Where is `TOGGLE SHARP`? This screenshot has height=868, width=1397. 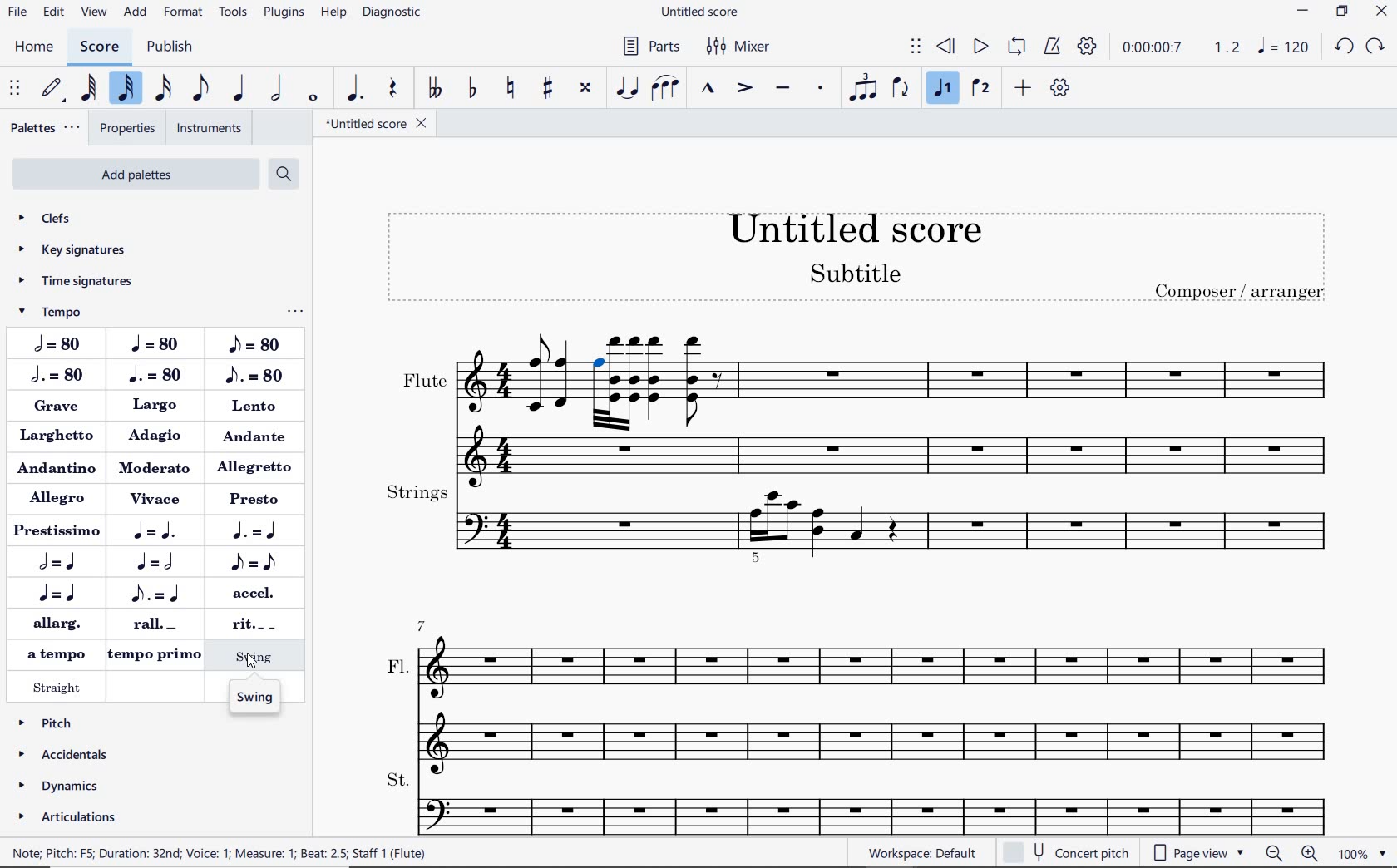
TOGGLE SHARP is located at coordinates (545, 89).